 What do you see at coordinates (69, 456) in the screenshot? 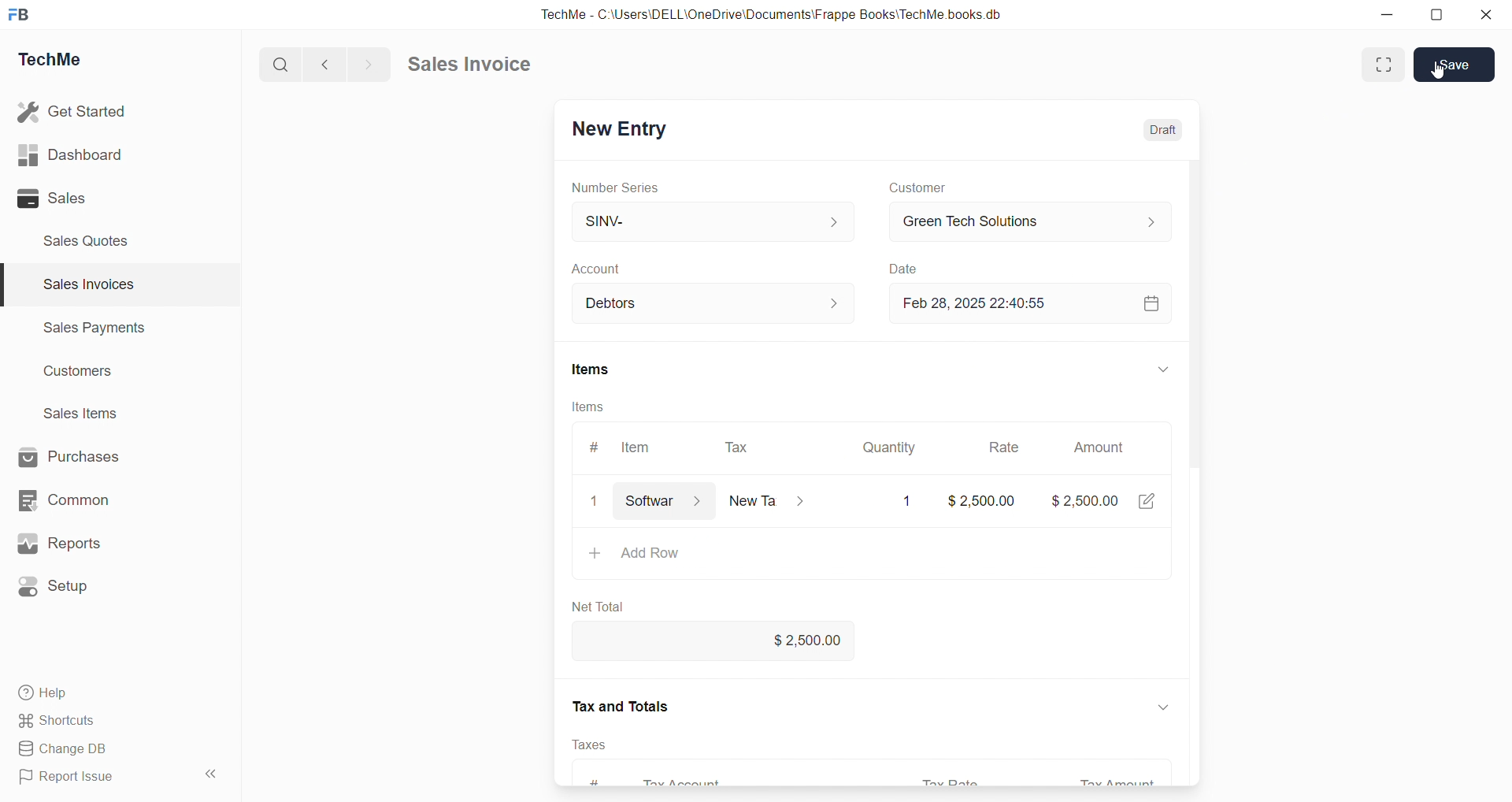
I see `Purchases` at bounding box center [69, 456].